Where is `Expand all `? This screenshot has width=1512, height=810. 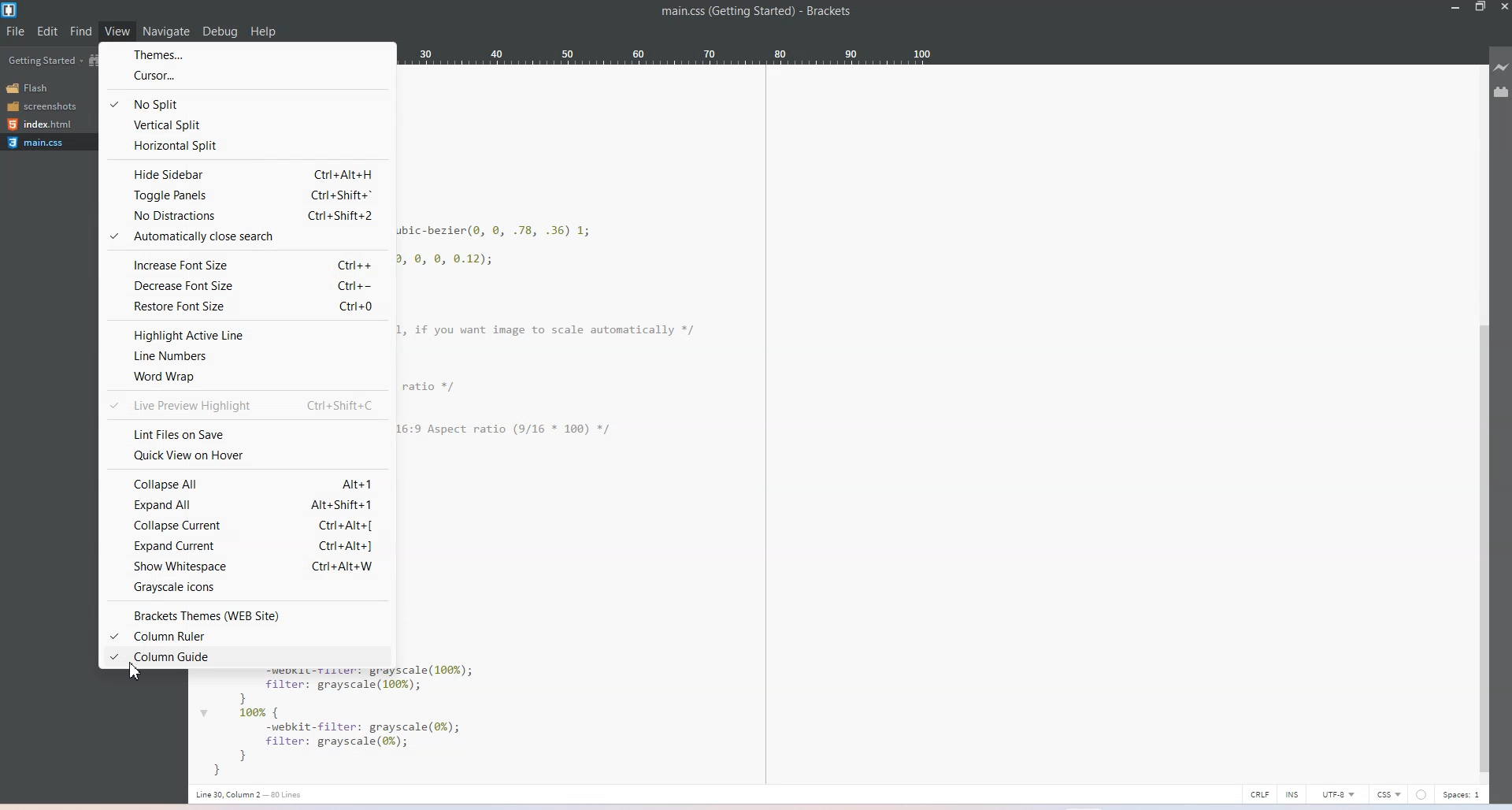 Expand all  is located at coordinates (246, 504).